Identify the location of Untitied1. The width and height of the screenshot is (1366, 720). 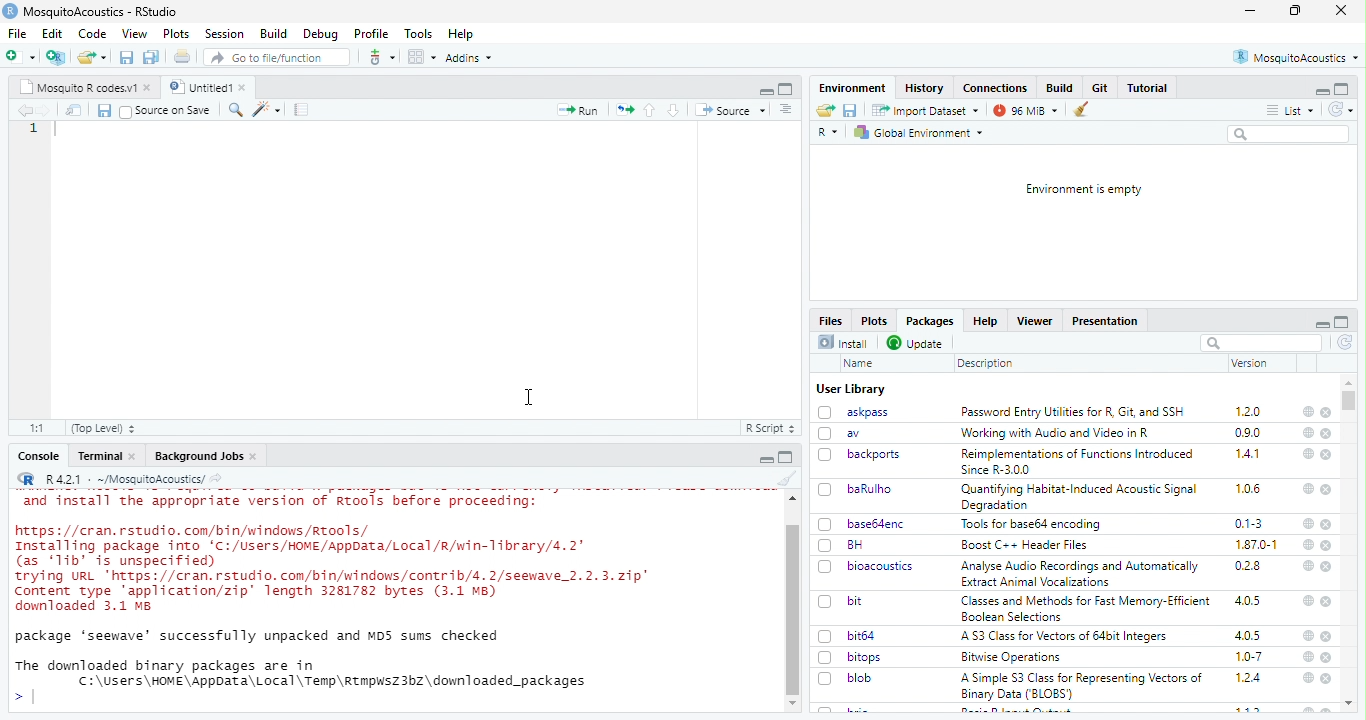
(198, 87).